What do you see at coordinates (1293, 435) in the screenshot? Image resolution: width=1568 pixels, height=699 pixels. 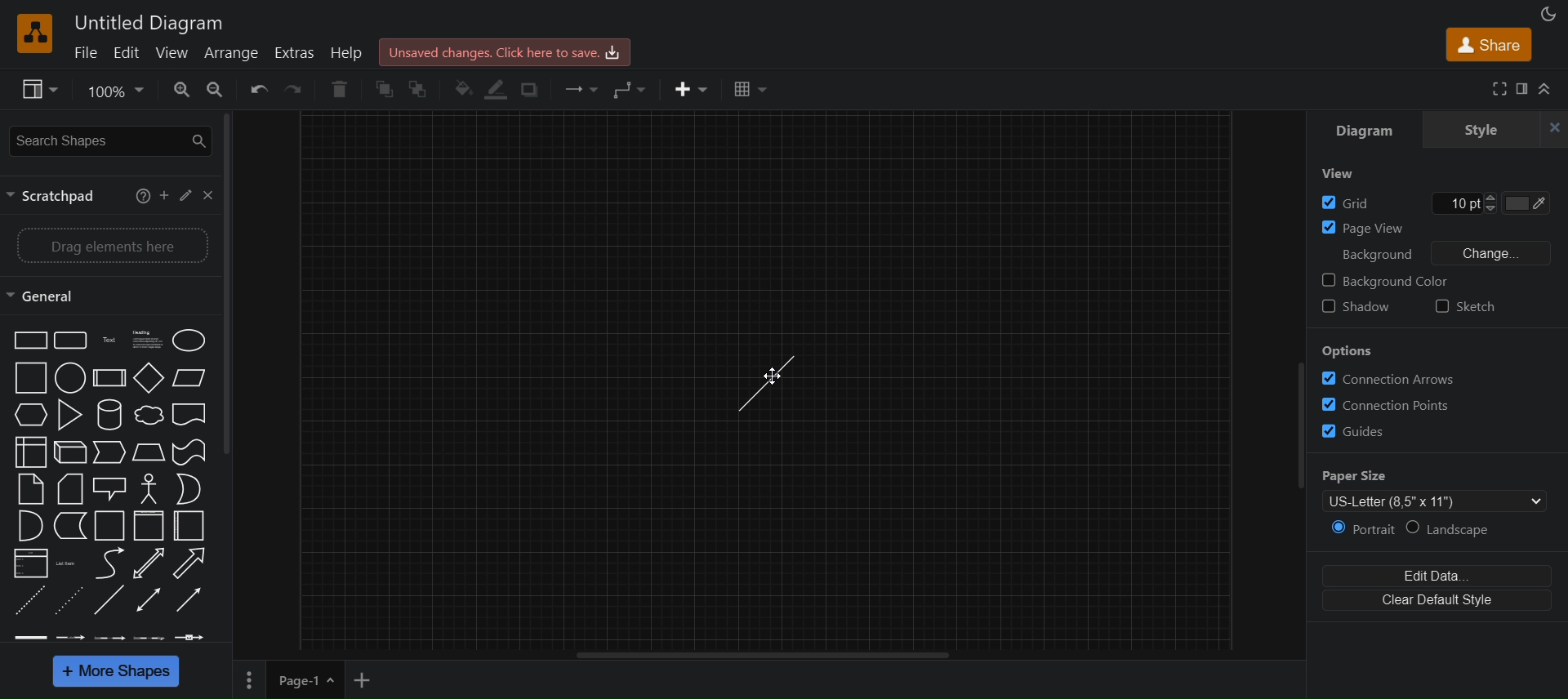 I see `scroll bar` at bounding box center [1293, 435].